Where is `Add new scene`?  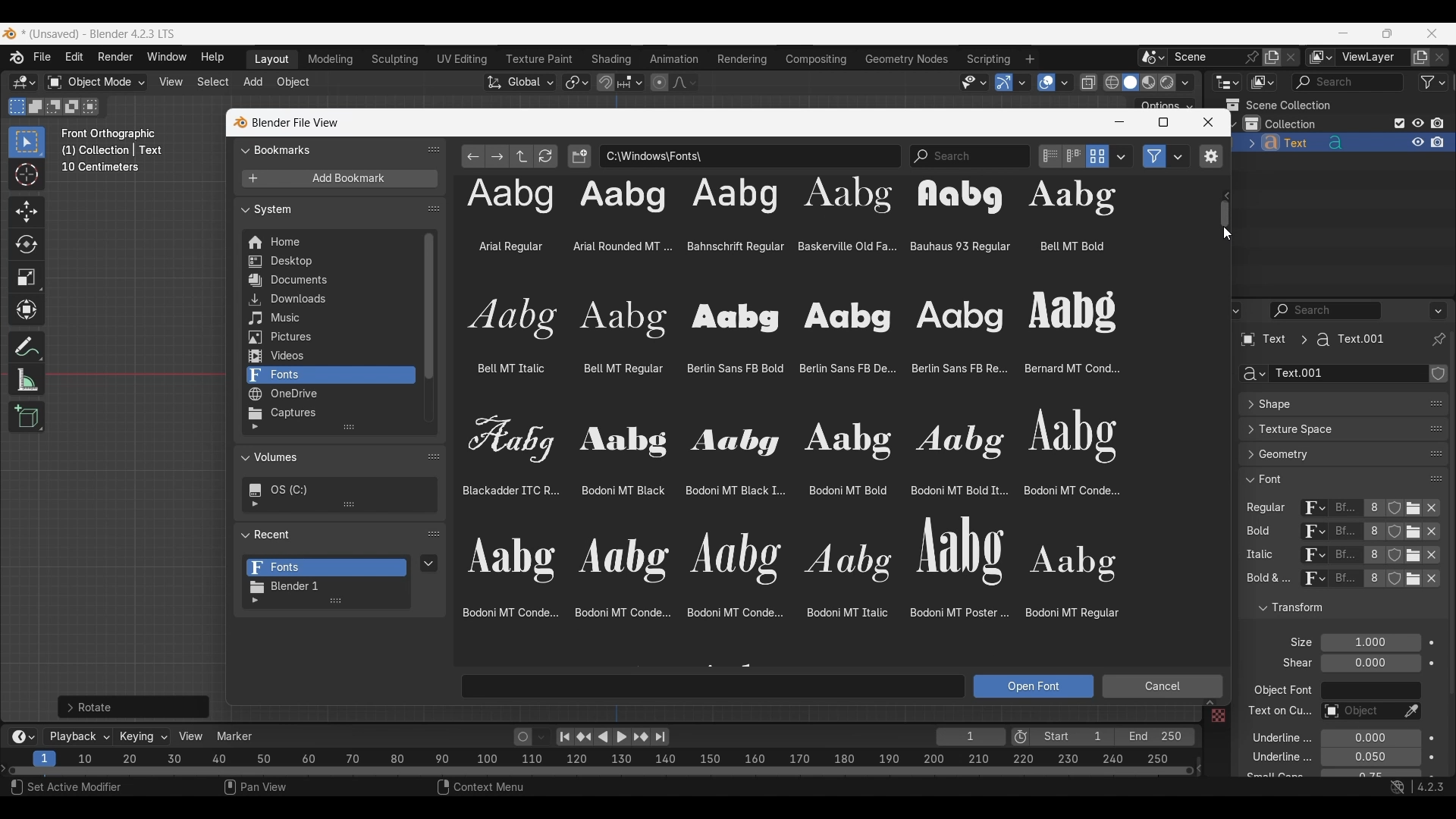
Add new scene is located at coordinates (1272, 58).